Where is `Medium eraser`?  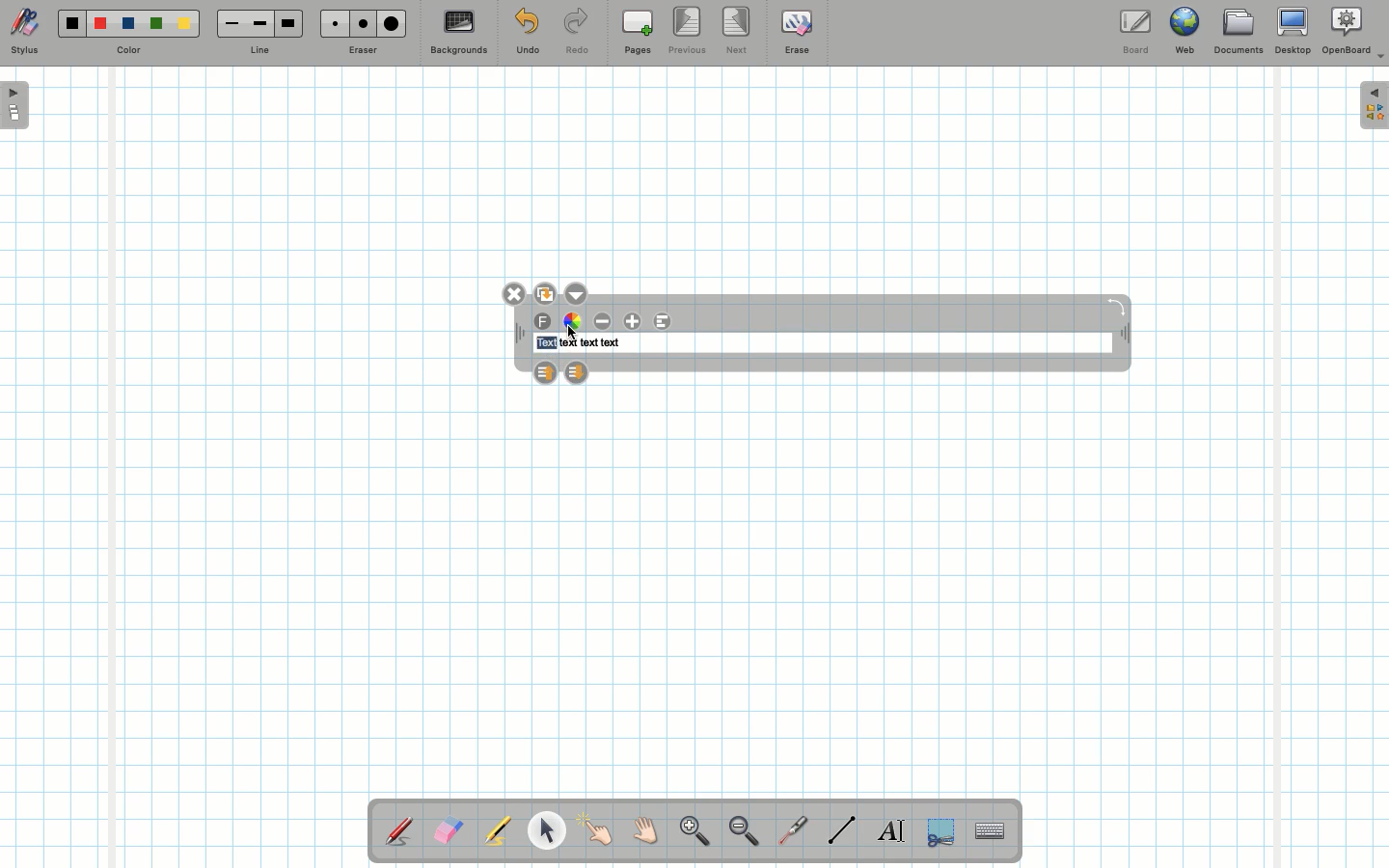
Medium eraser is located at coordinates (360, 23).